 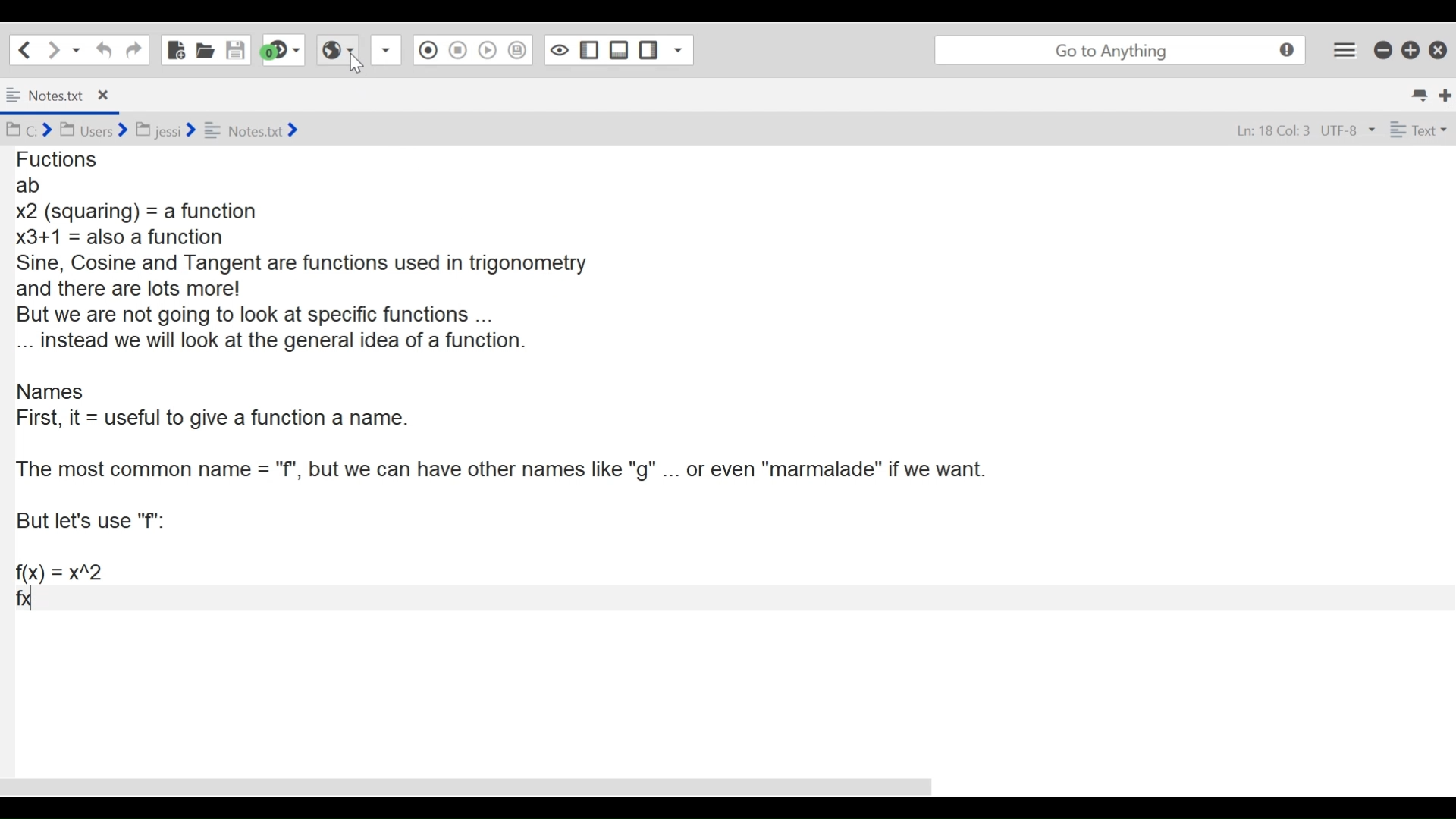 What do you see at coordinates (486, 50) in the screenshot?
I see `Play last Macro` at bounding box center [486, 50].